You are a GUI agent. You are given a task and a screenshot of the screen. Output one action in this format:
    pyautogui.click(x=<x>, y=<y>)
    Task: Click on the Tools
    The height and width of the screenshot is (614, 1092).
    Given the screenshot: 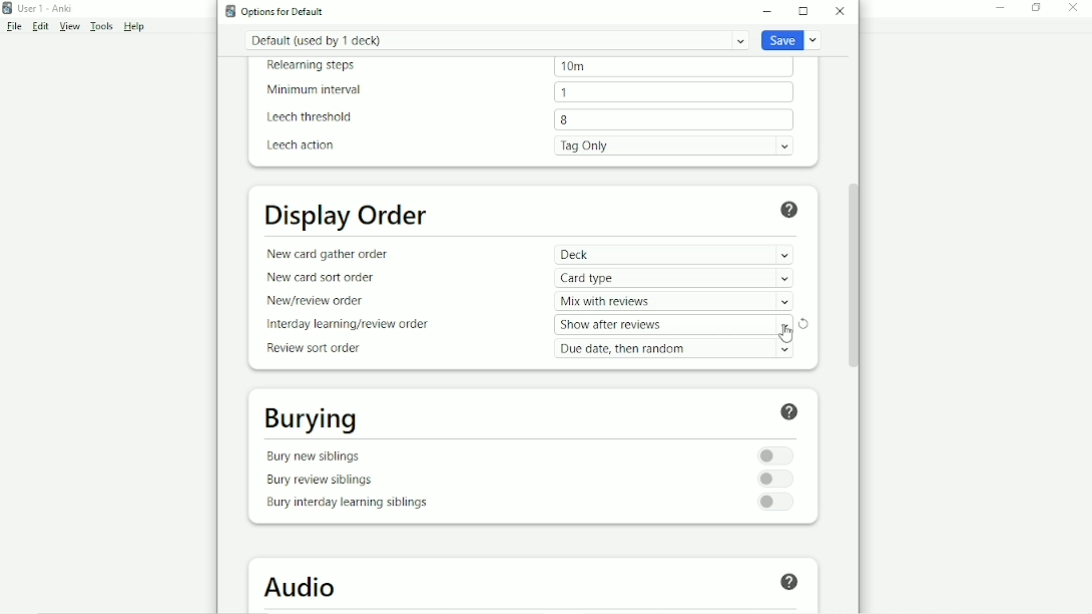 What is the action you would take?
    pyautogui.click(x=101, y=26)
    